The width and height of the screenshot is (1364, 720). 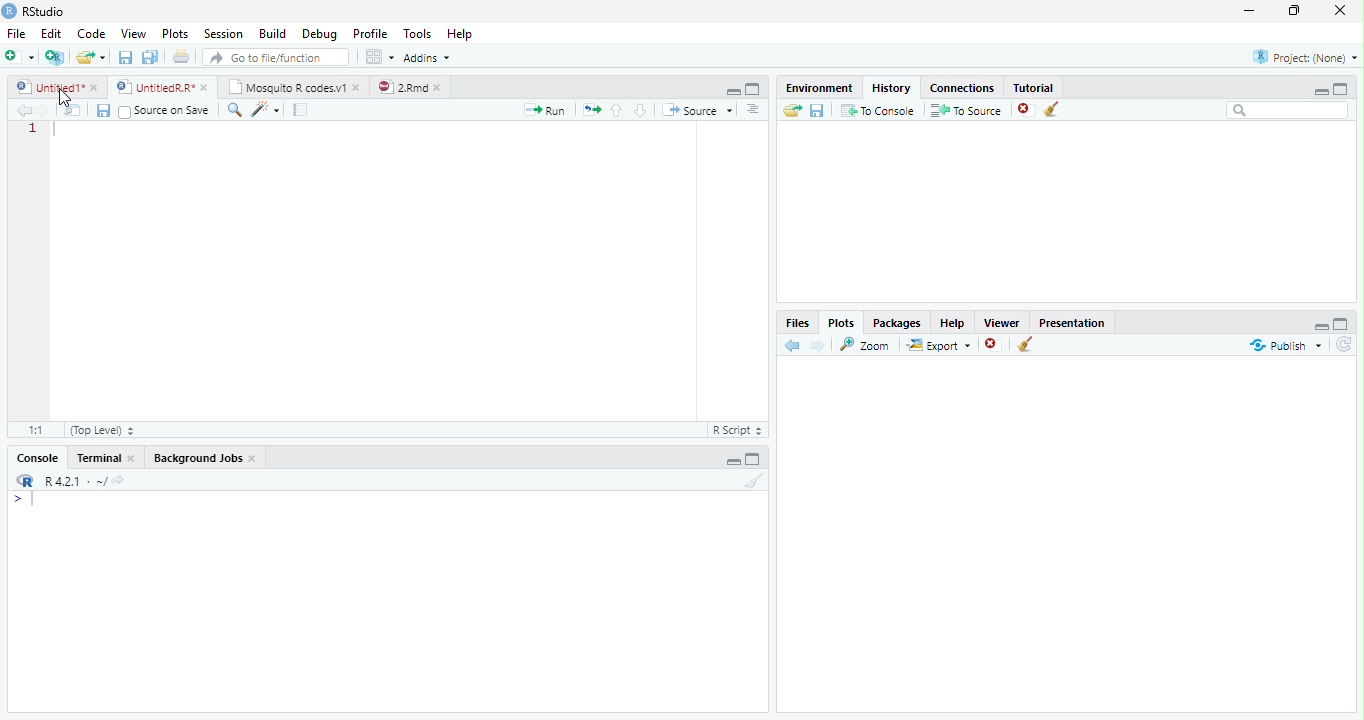 I want to click on Code, so click(x=89, y=33).